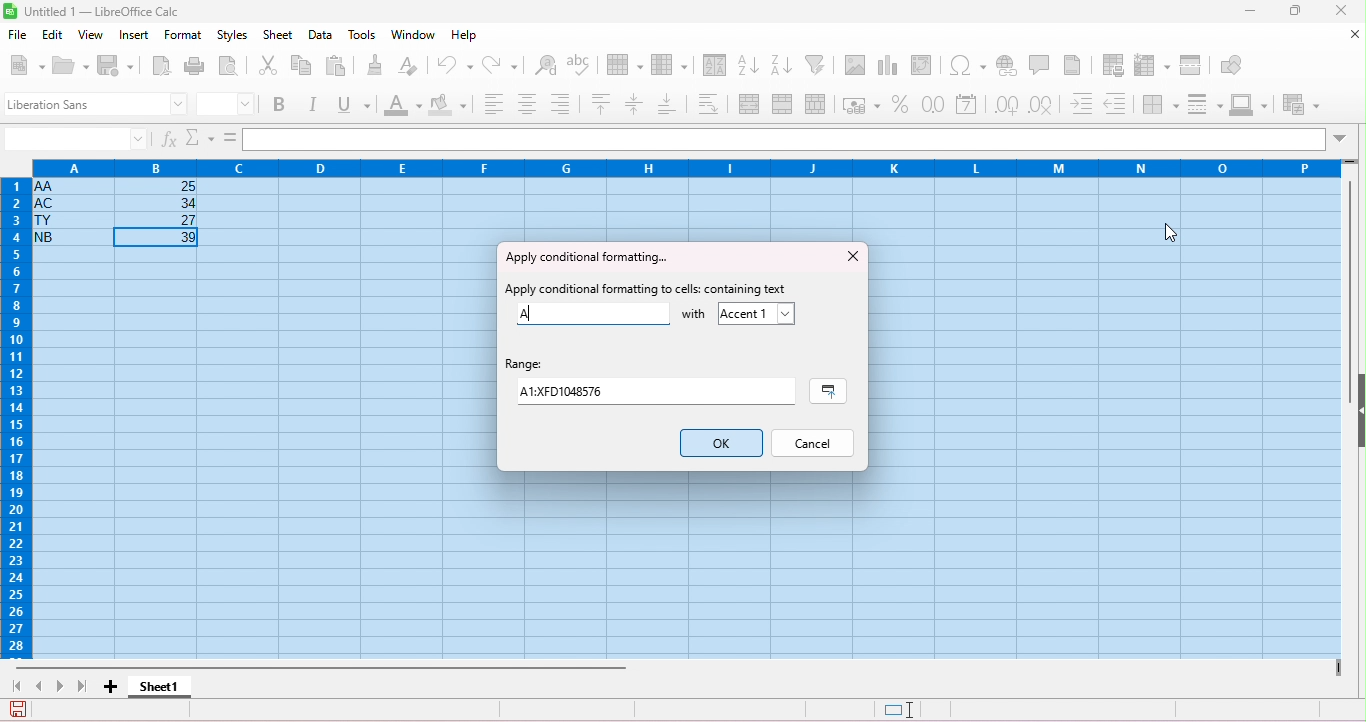 The image size is (1366, 722). Describe the element at coordinates (15, 419) in the screenshot. I see `row numbers` at that location.